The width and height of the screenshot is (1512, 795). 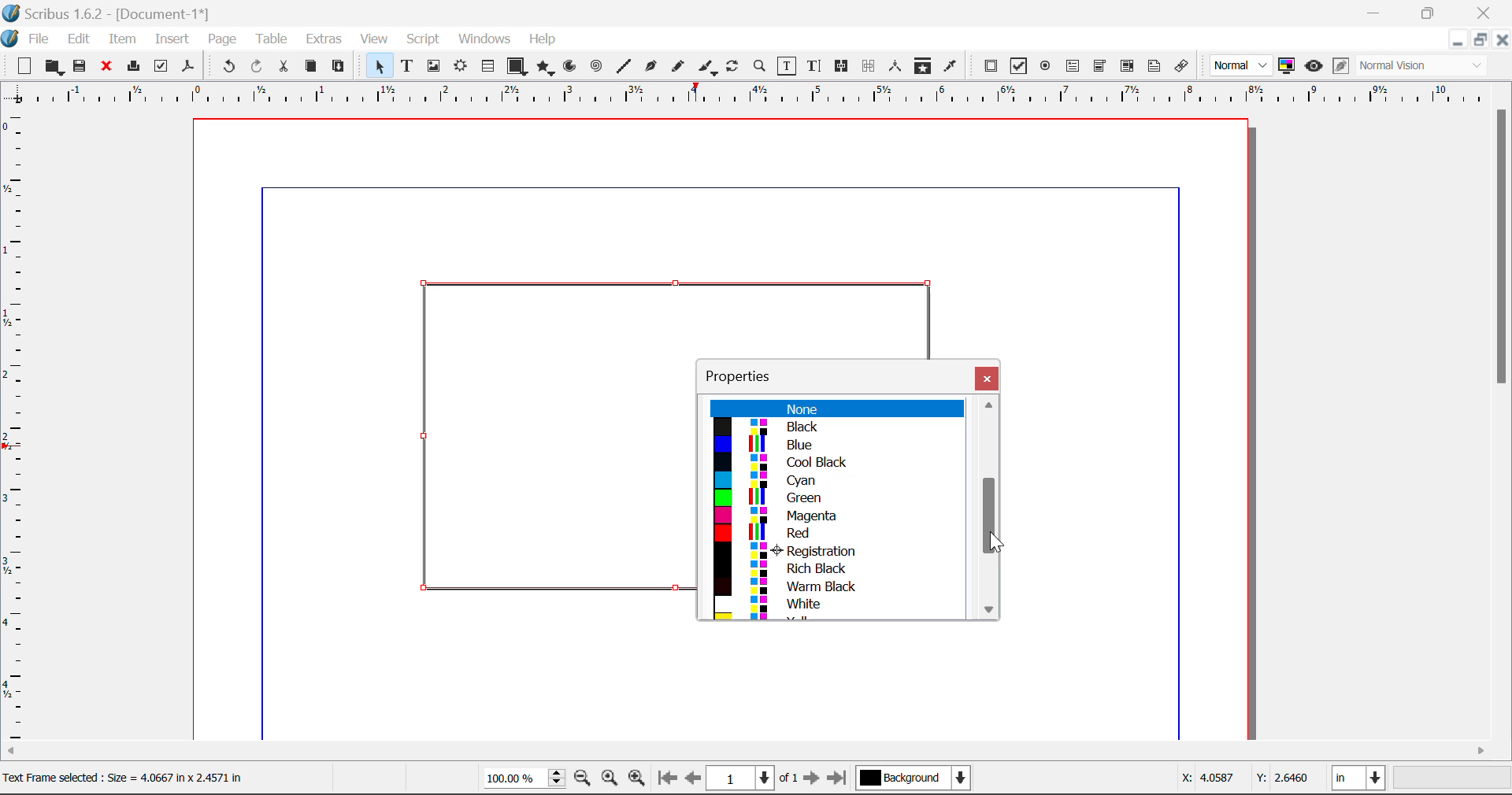 What do you see at coordinates (842, 66) in the screenshot?
I see `Link Frames` at bounding box center [842, 66].